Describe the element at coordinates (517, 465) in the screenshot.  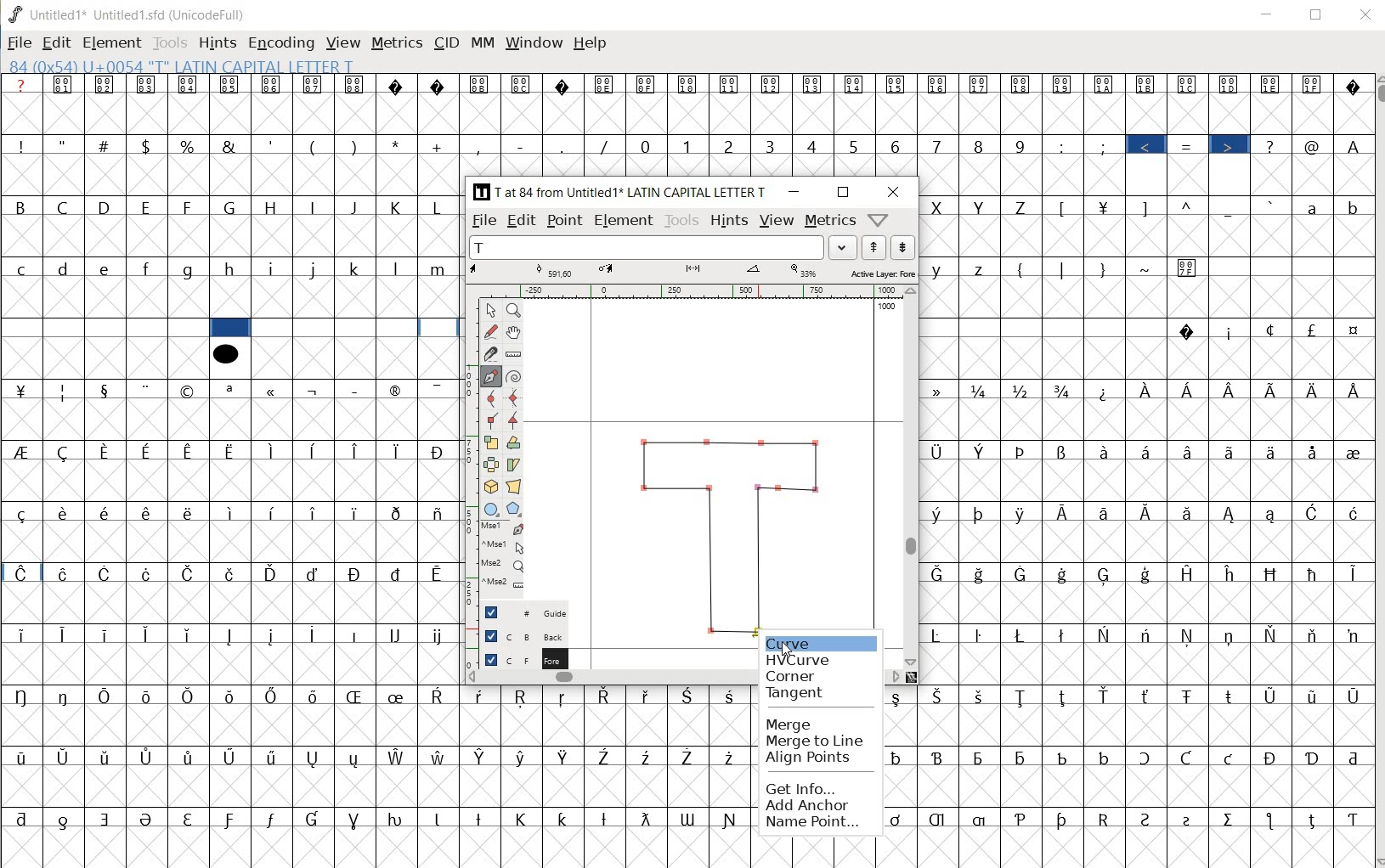
I see `skew` at that location.